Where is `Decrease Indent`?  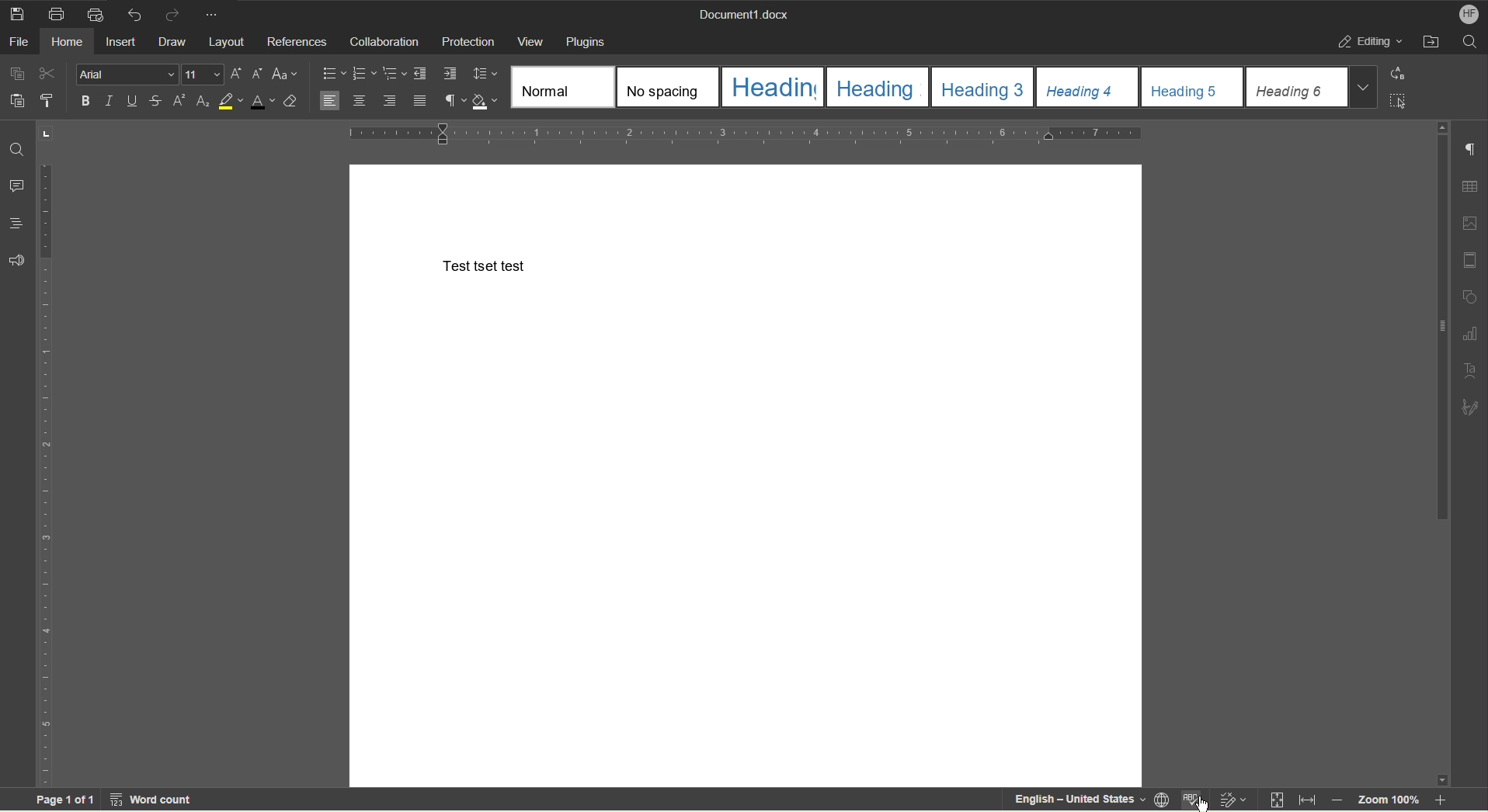
Decrease Indent is located at coordinates (422, 75).